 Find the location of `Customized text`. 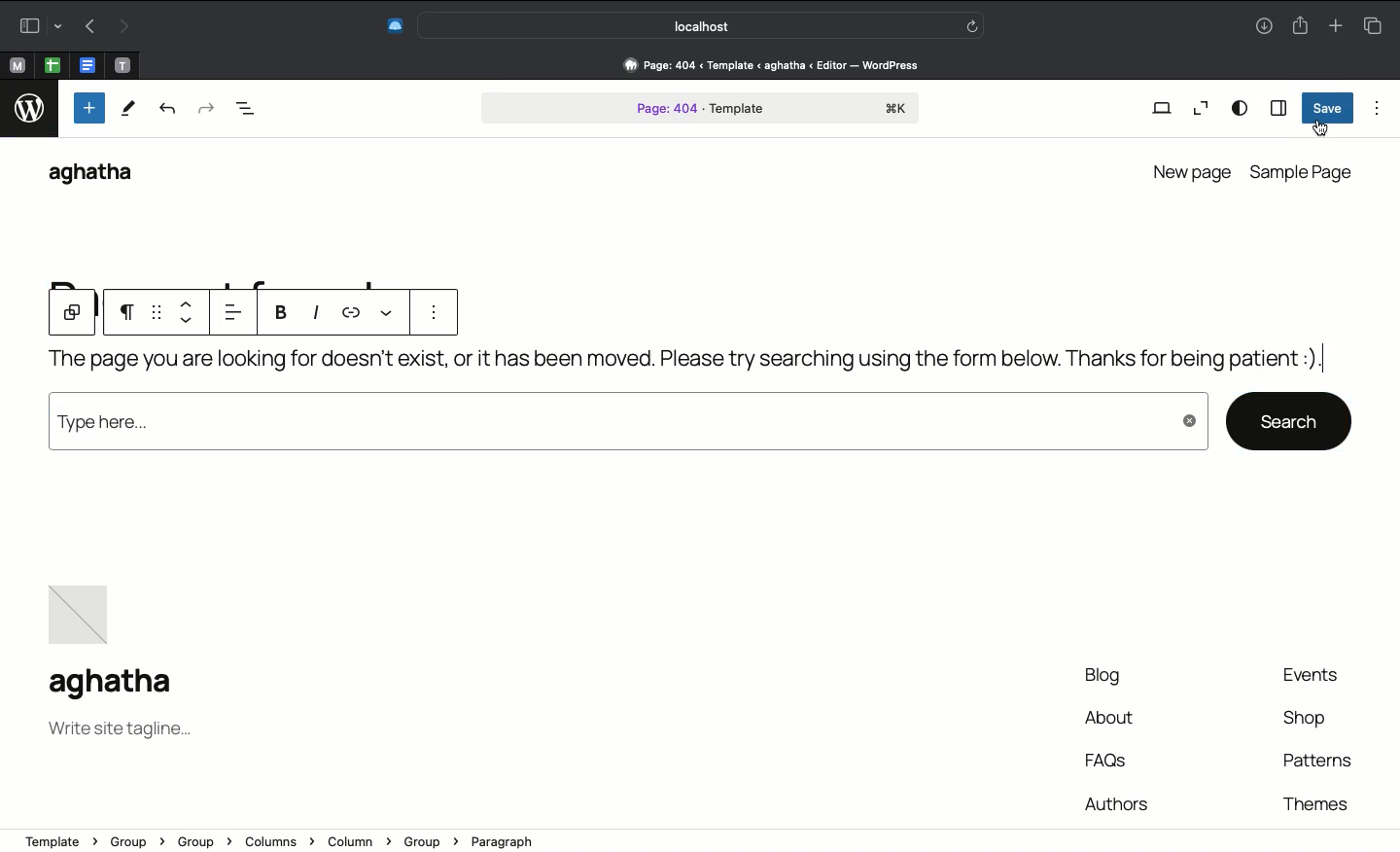

Customized text is located at coordinates (1204, 362).